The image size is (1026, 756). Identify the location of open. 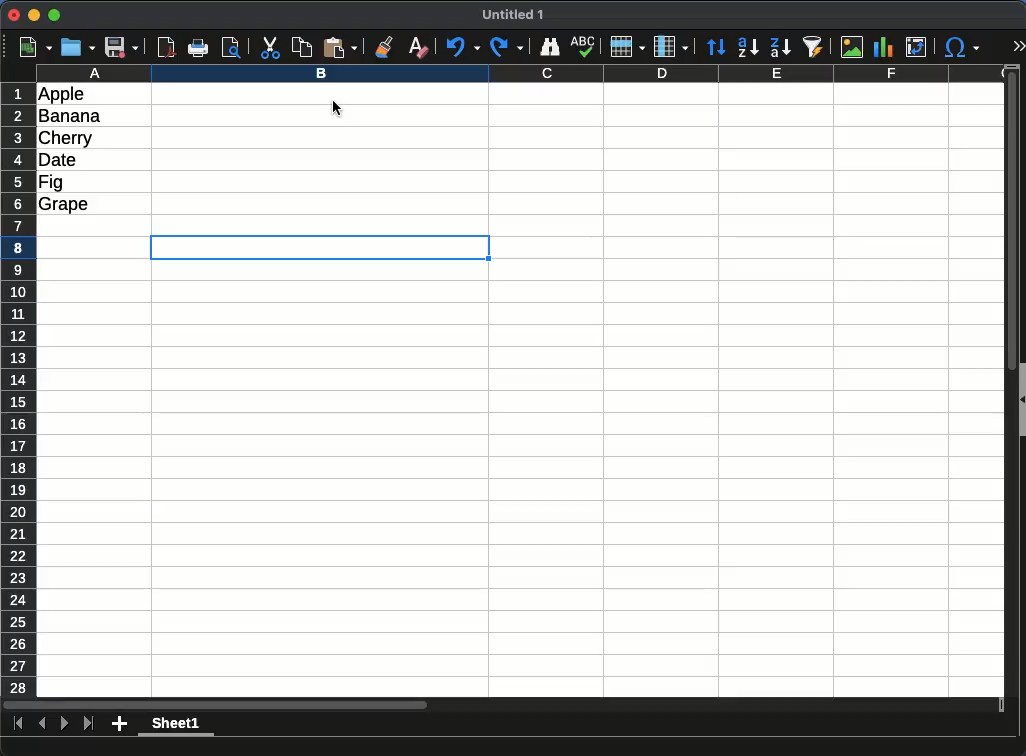
(78, 48).